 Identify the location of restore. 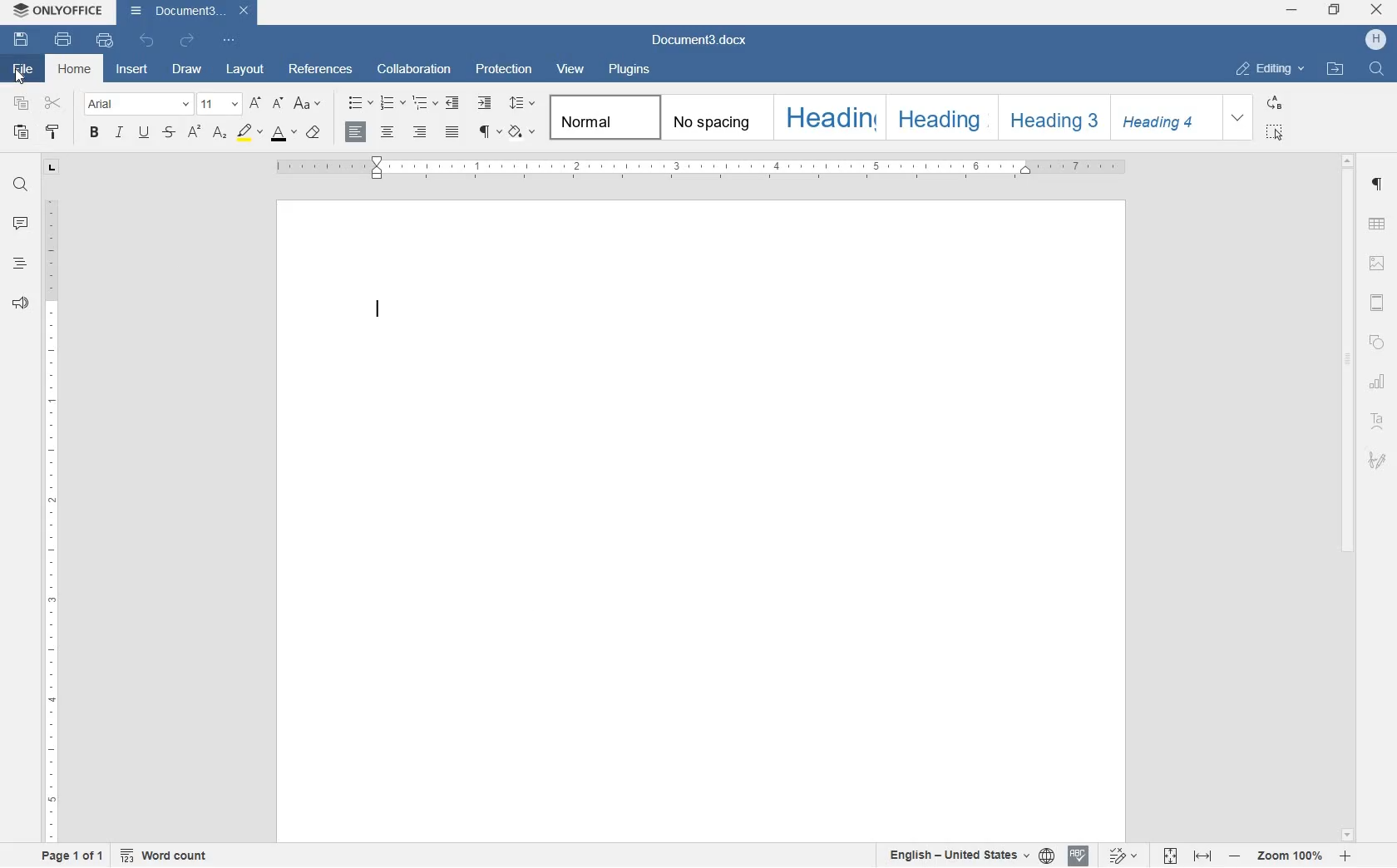
(1335, 12).